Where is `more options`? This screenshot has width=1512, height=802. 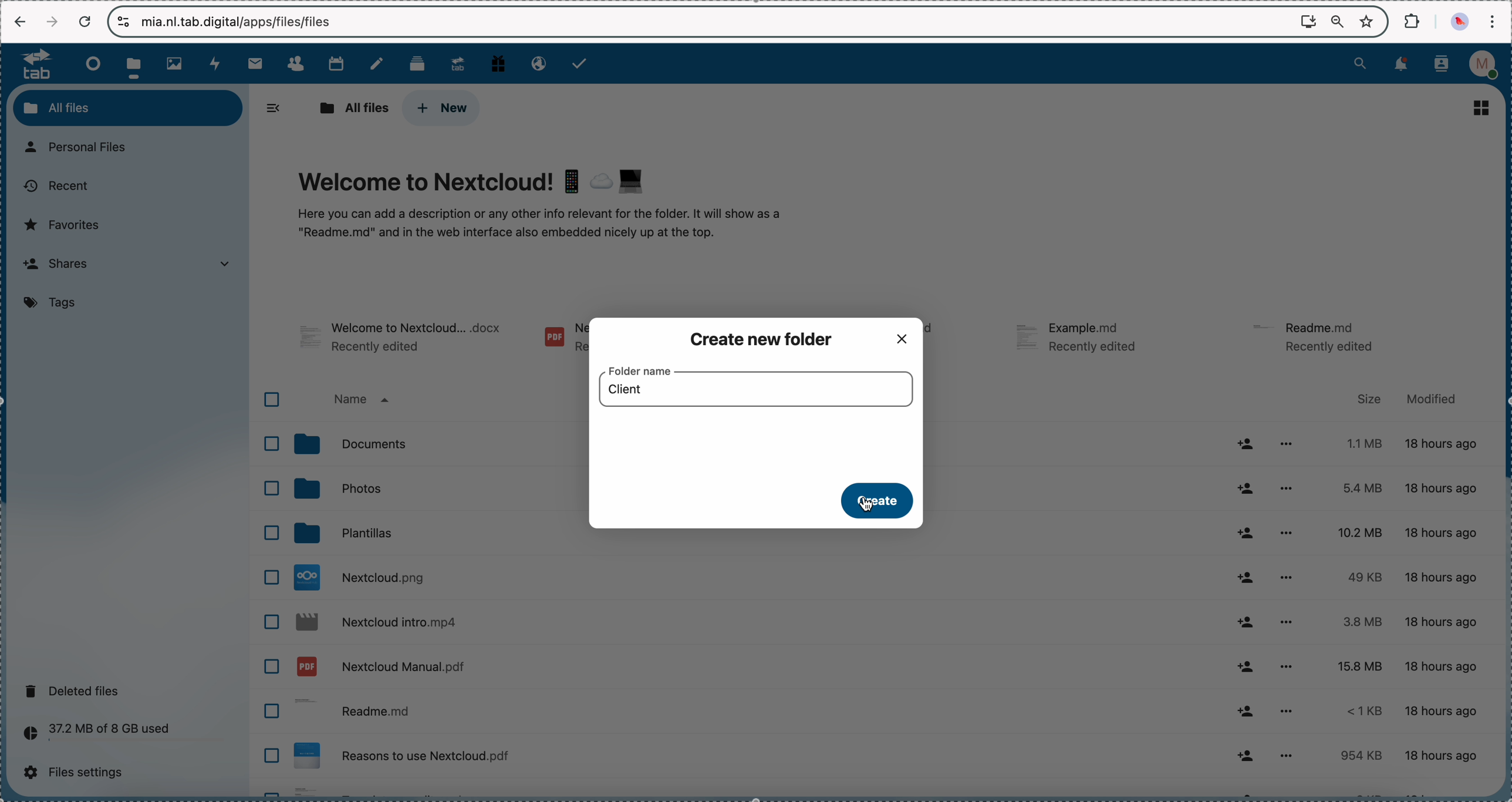
more options is located at coordinates (1289, 754).